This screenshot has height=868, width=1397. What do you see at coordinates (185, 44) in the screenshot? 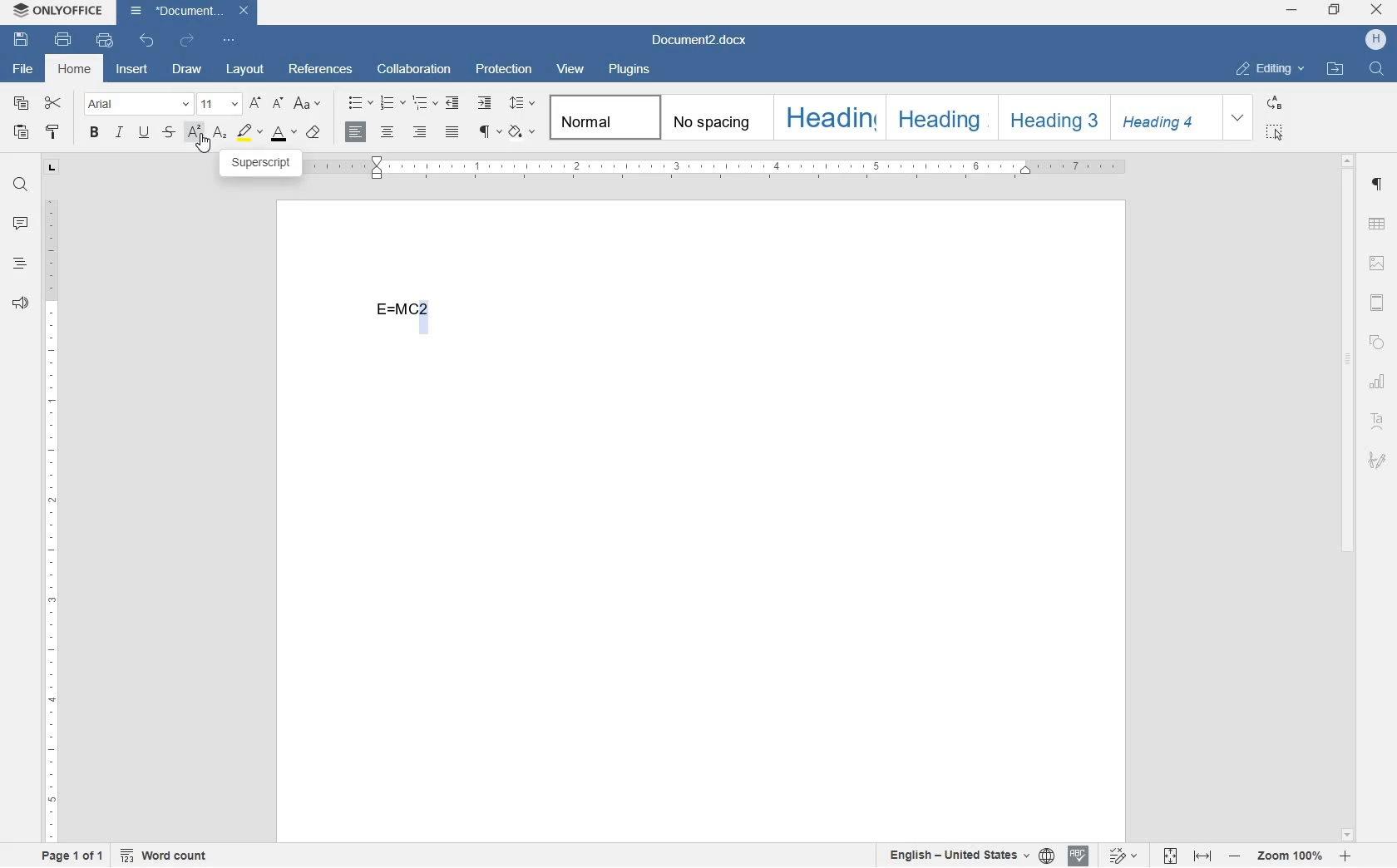
I see `redo` at bounding box center [185, 44].